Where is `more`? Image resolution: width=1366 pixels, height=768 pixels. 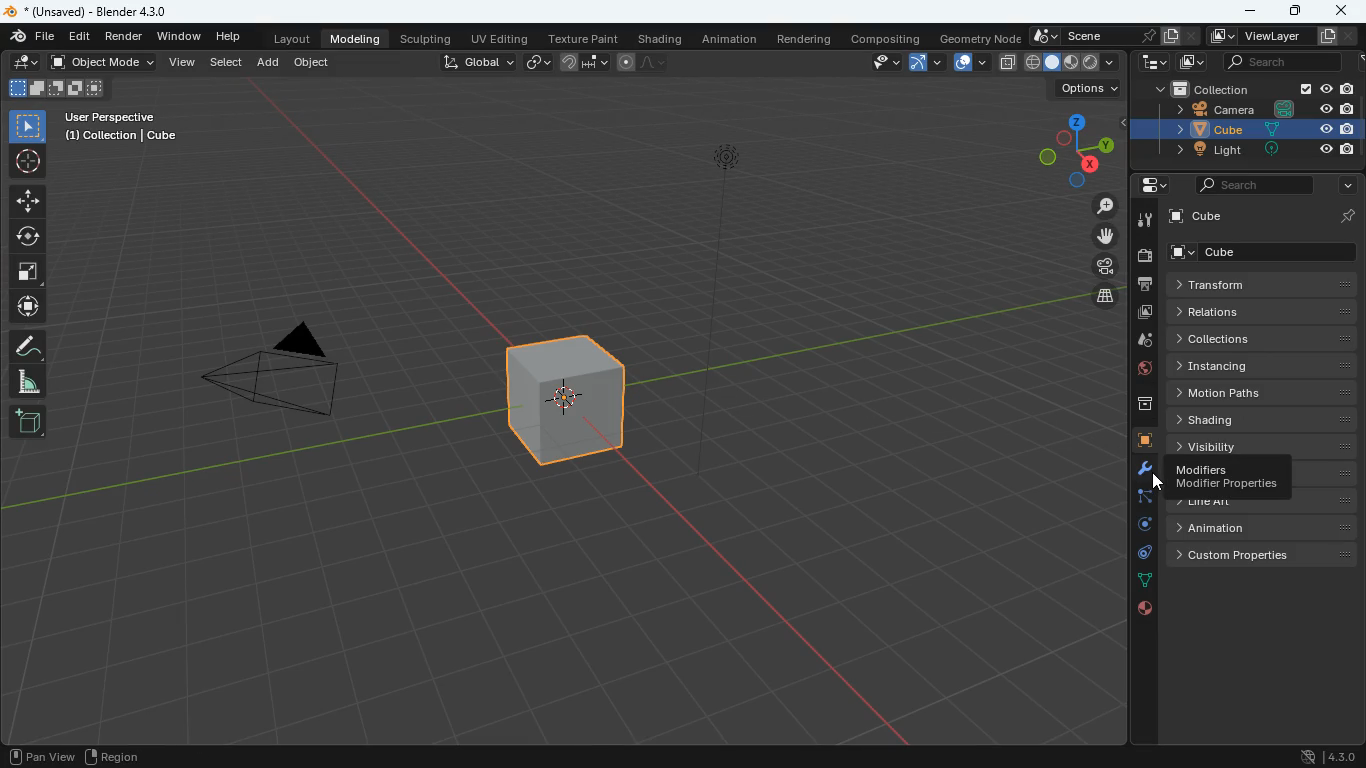
more is located at coordinates (1349, 185).